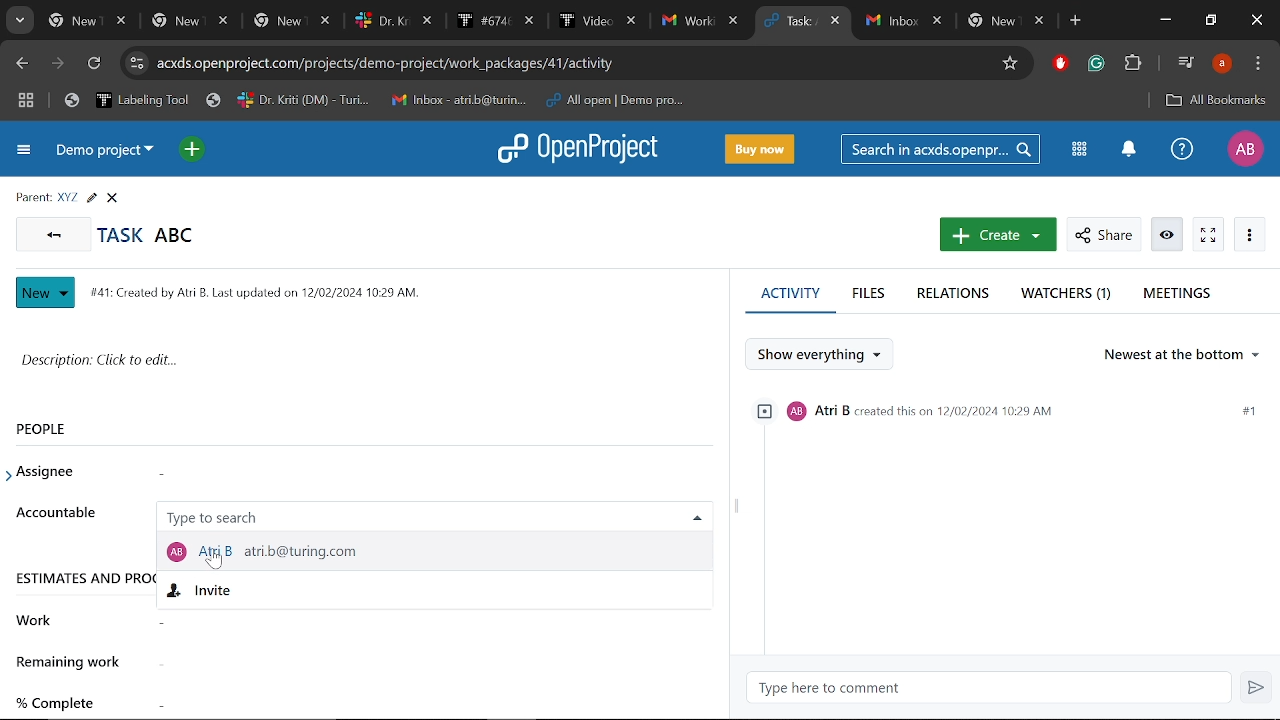 The image size is (1280, 720). What do you see at coordinates (1167, 234) in the screenshot?
I see `Watch/unwatch` at bounding box center [1167, 234].